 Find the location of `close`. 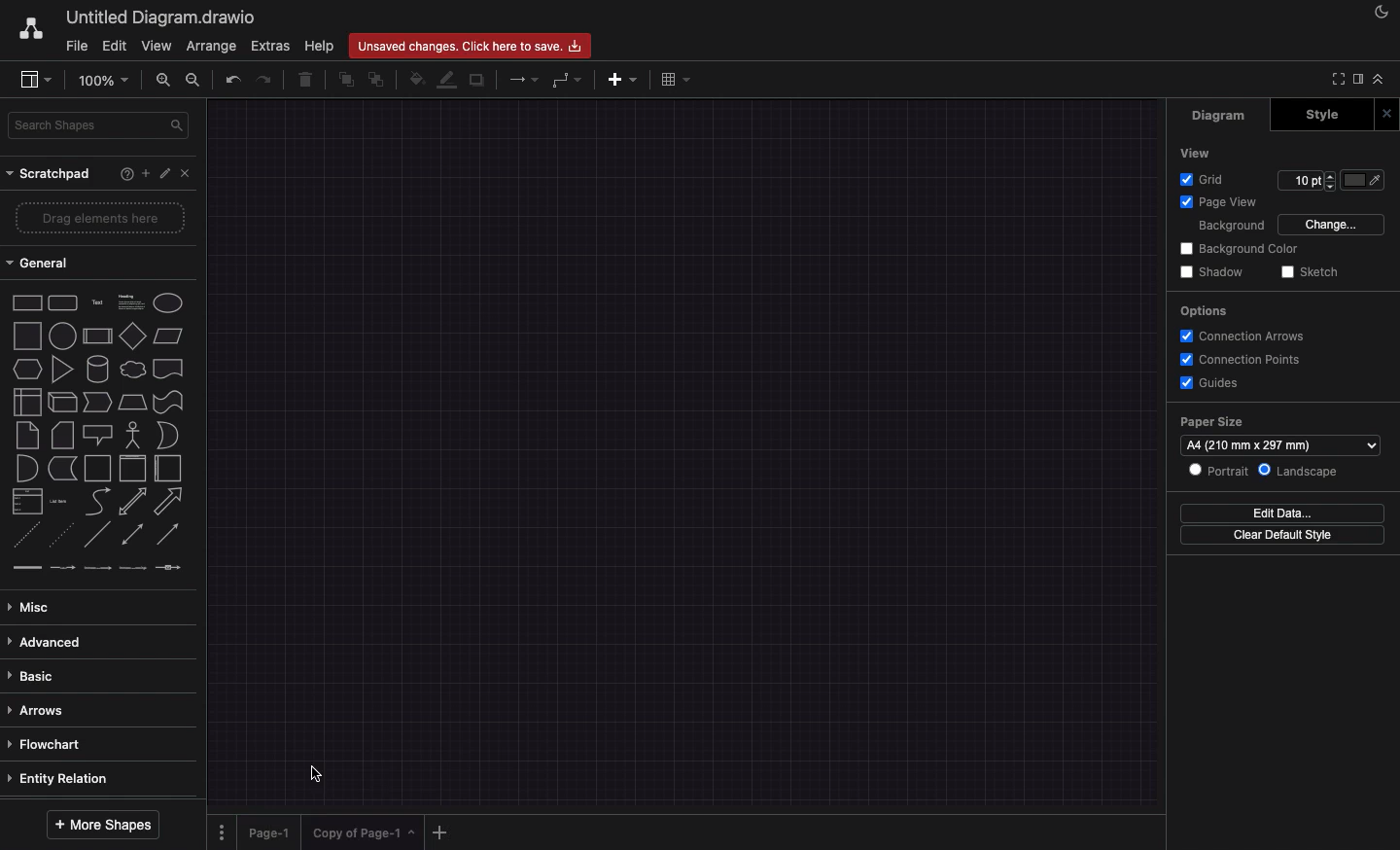

close is located at coordinates (187, 171).